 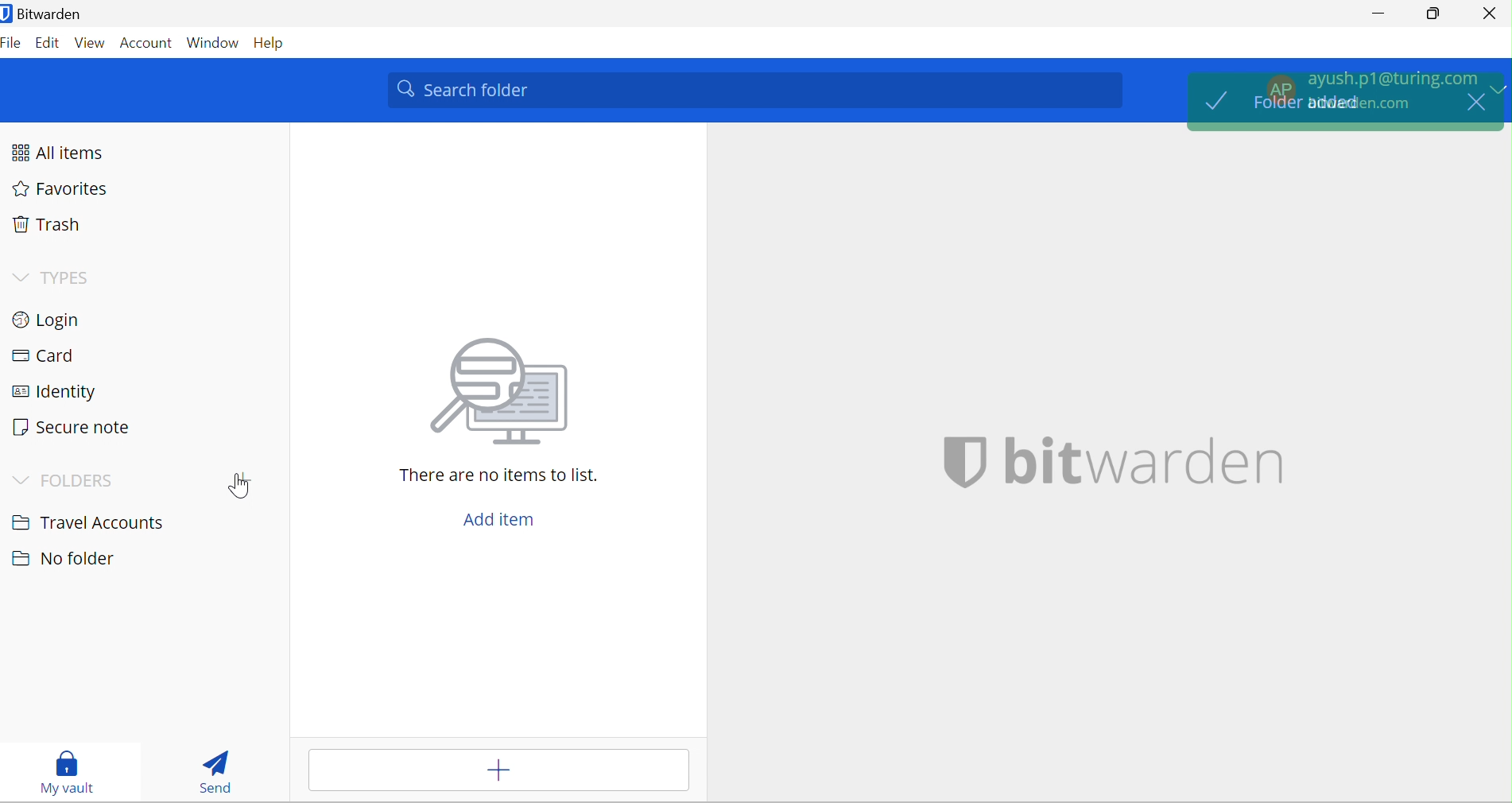 What do you see at coordinates (87, 522) in the screenshot?
I see `Travel Accounts` at bounding box center [87, 522].